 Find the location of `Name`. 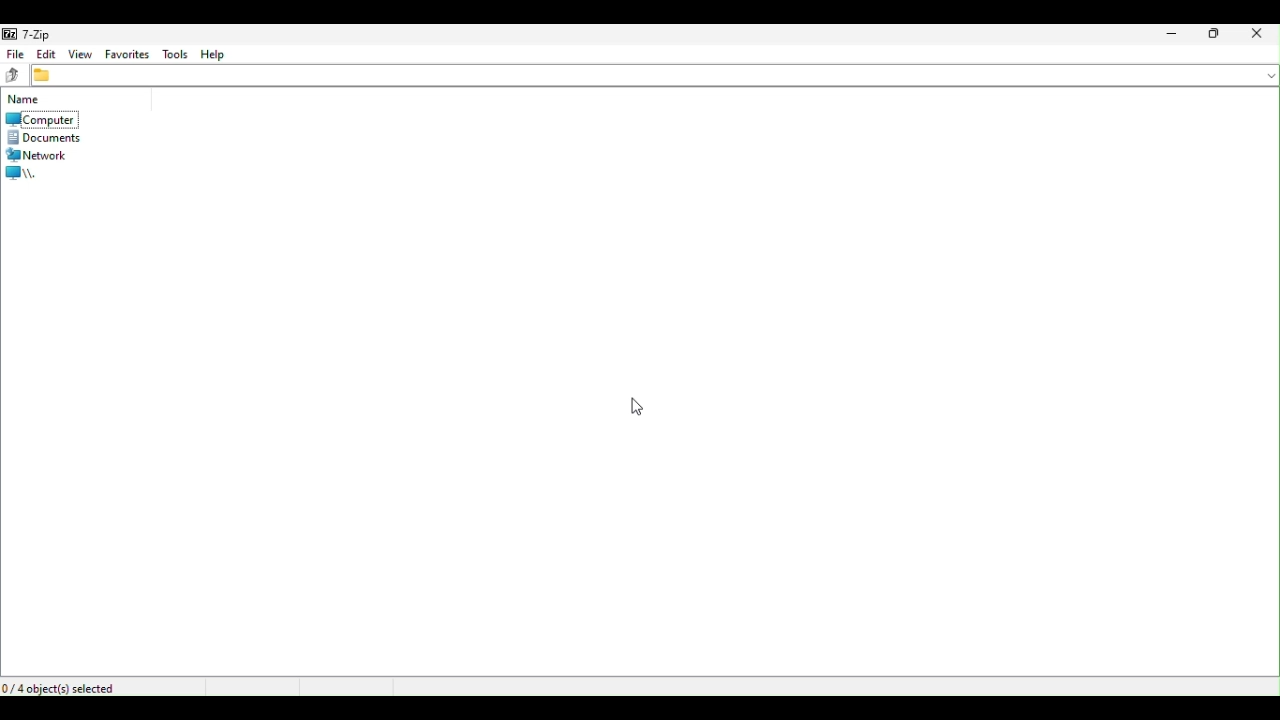

Name is located at coordinates (24, 99).